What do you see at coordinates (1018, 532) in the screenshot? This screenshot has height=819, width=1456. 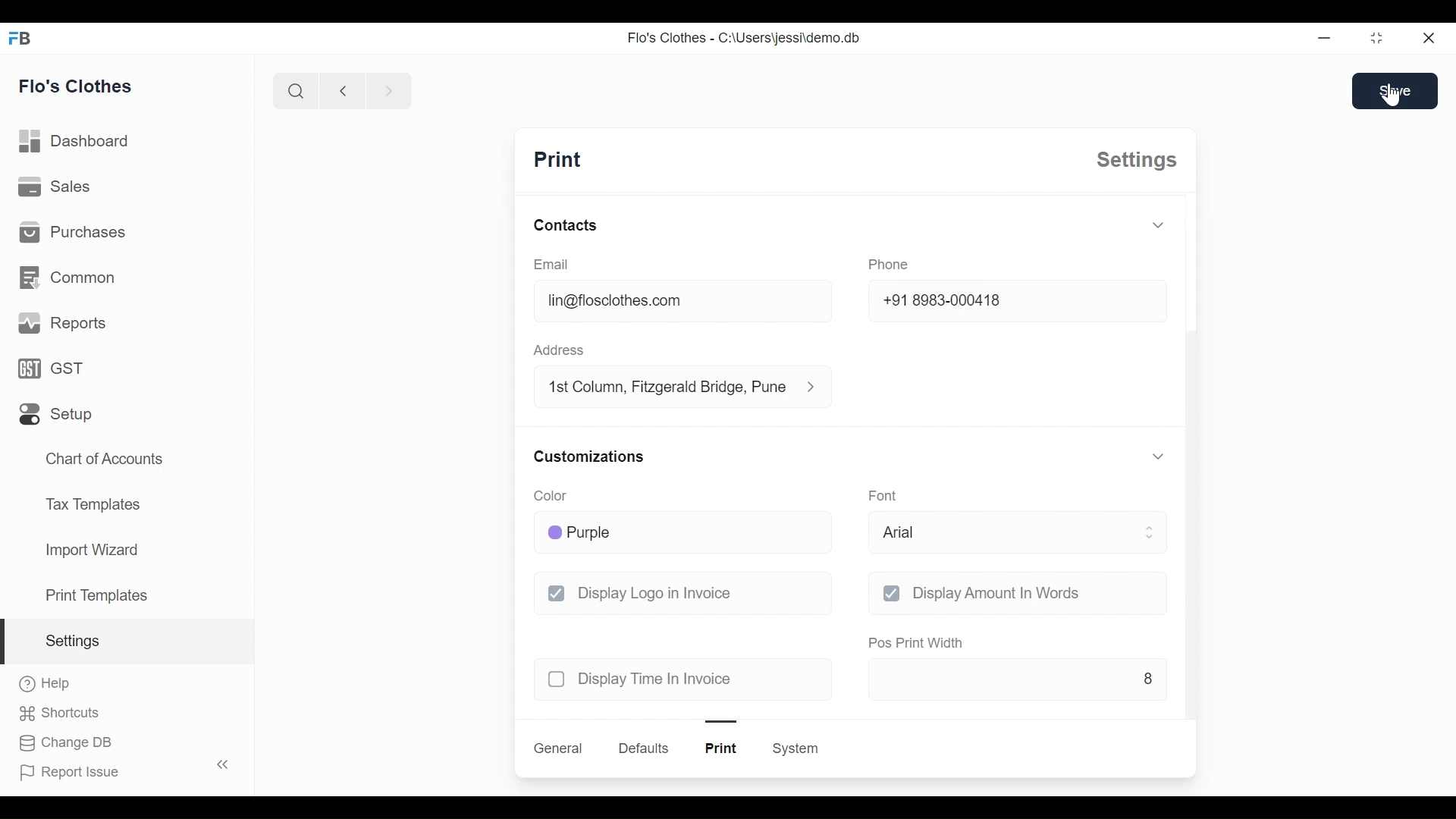 I see `arial` at bounding box center [1018, 532].